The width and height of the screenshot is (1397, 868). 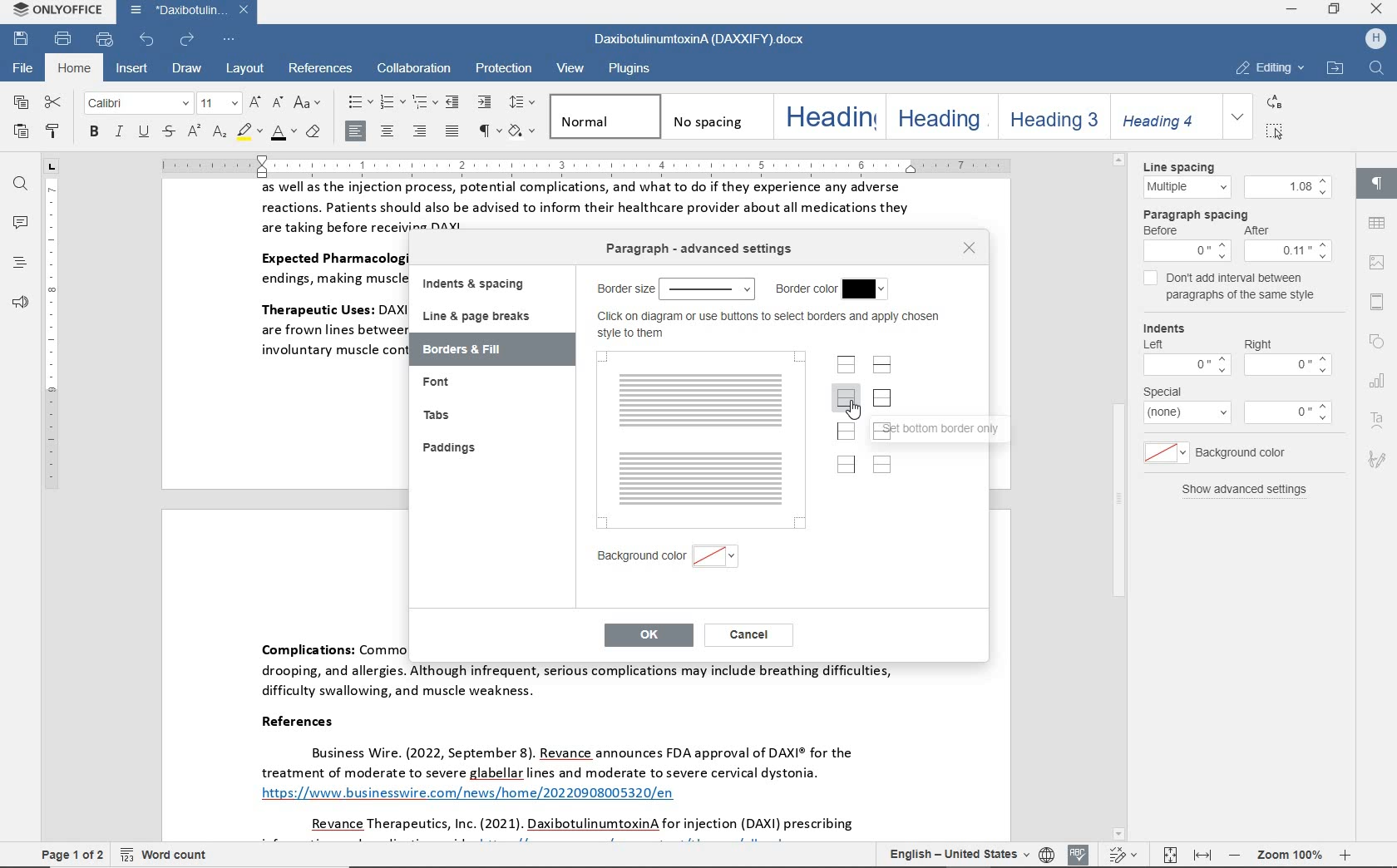 What do you see at coordinates (323, 69) in the screenshot?
I see `references` at bounding box center [323, 69].